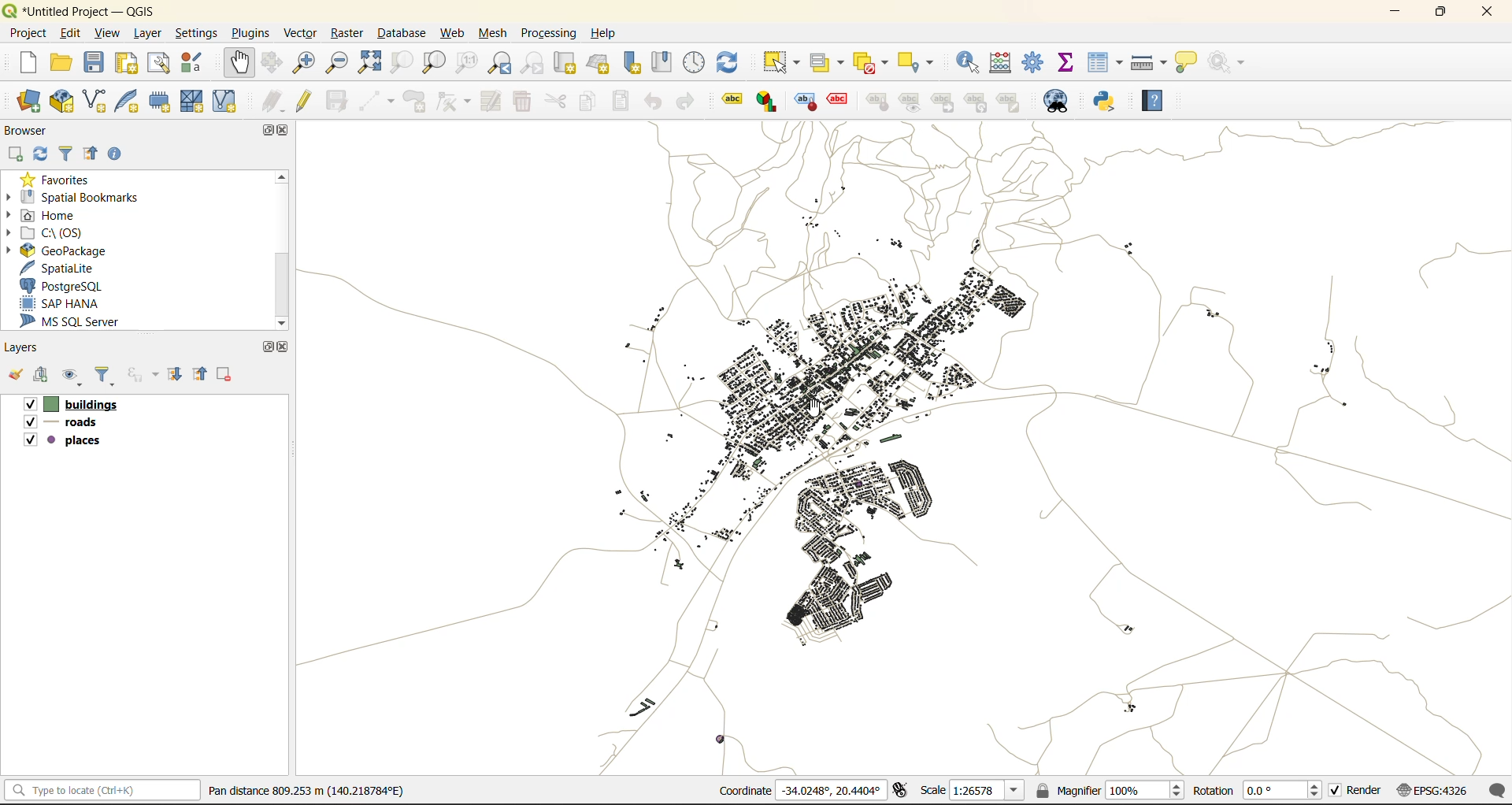  I want to click on log messages, so click(1498, 791).